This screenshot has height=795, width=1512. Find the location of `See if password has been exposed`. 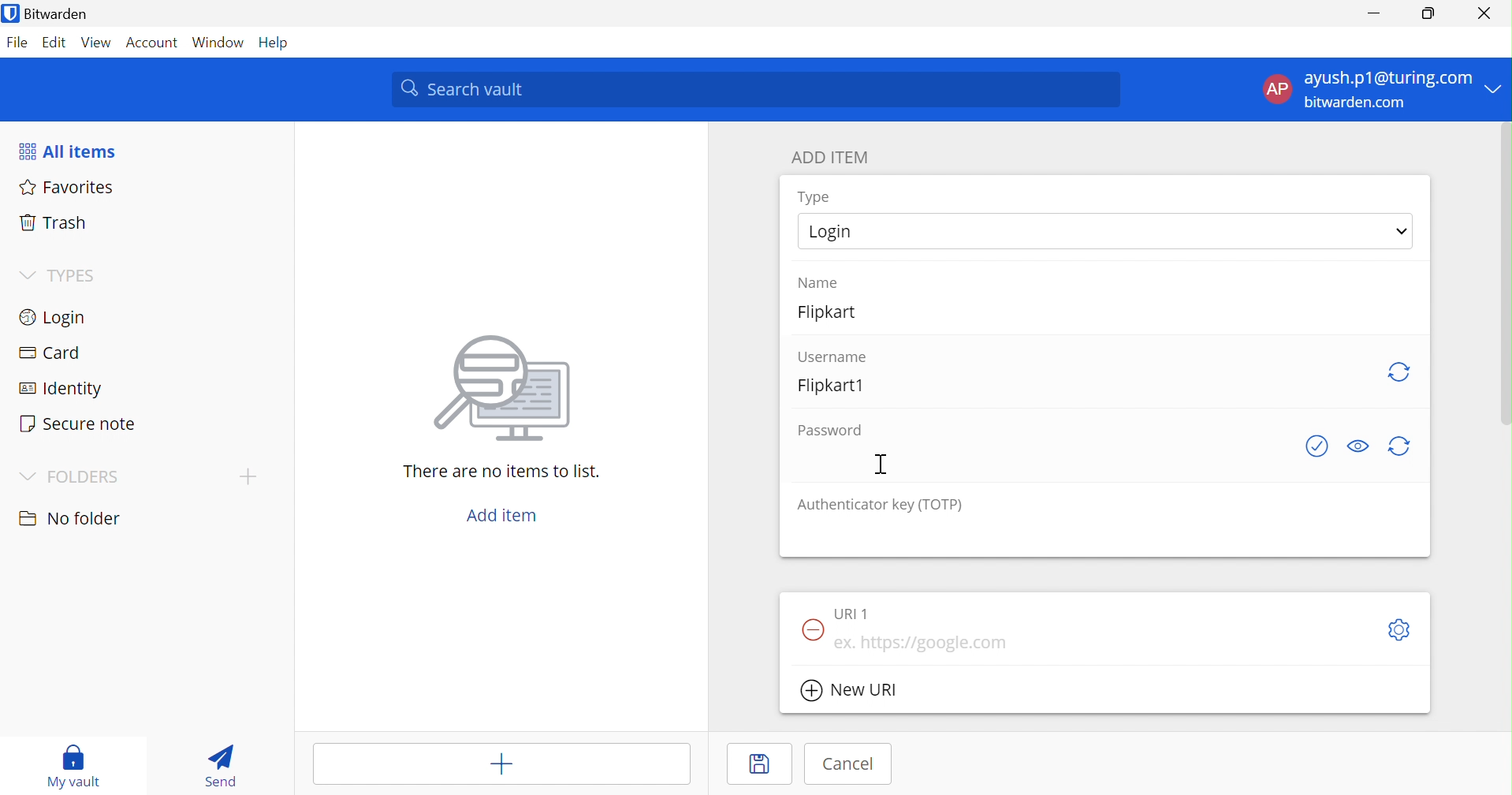

See if password has been exposed is located at coordinates (1317, 447).